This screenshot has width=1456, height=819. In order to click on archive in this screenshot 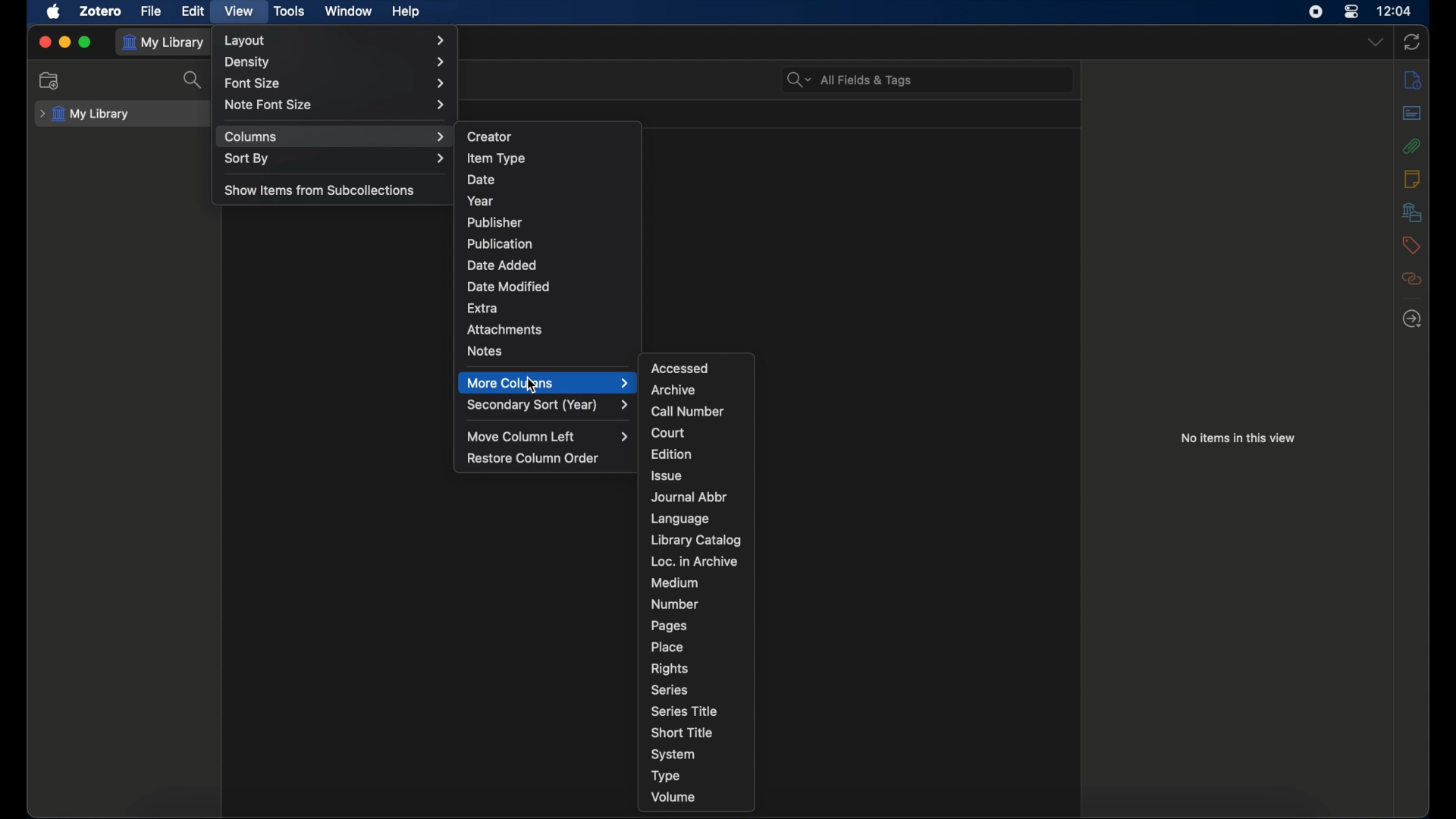, I will do `click(673, 390)`.